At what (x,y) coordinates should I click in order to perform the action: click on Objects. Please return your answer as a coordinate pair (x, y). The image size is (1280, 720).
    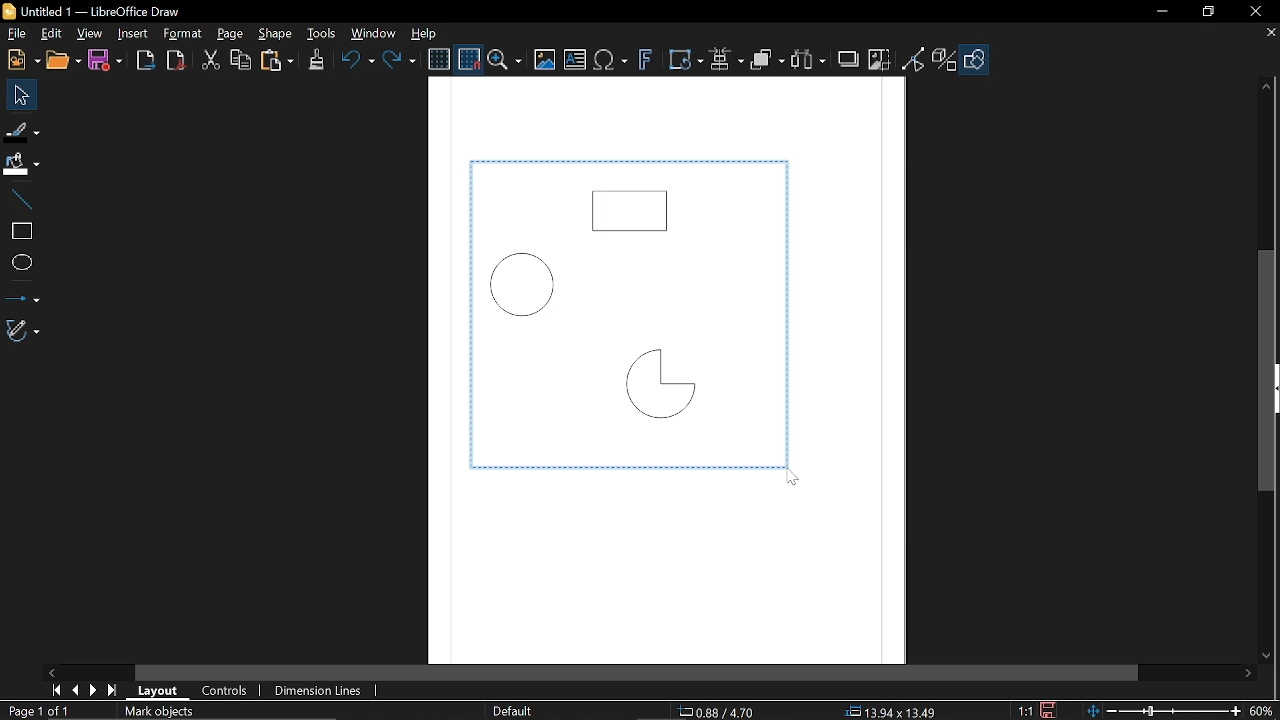
    Looking at the image, I should click on (766, 61).